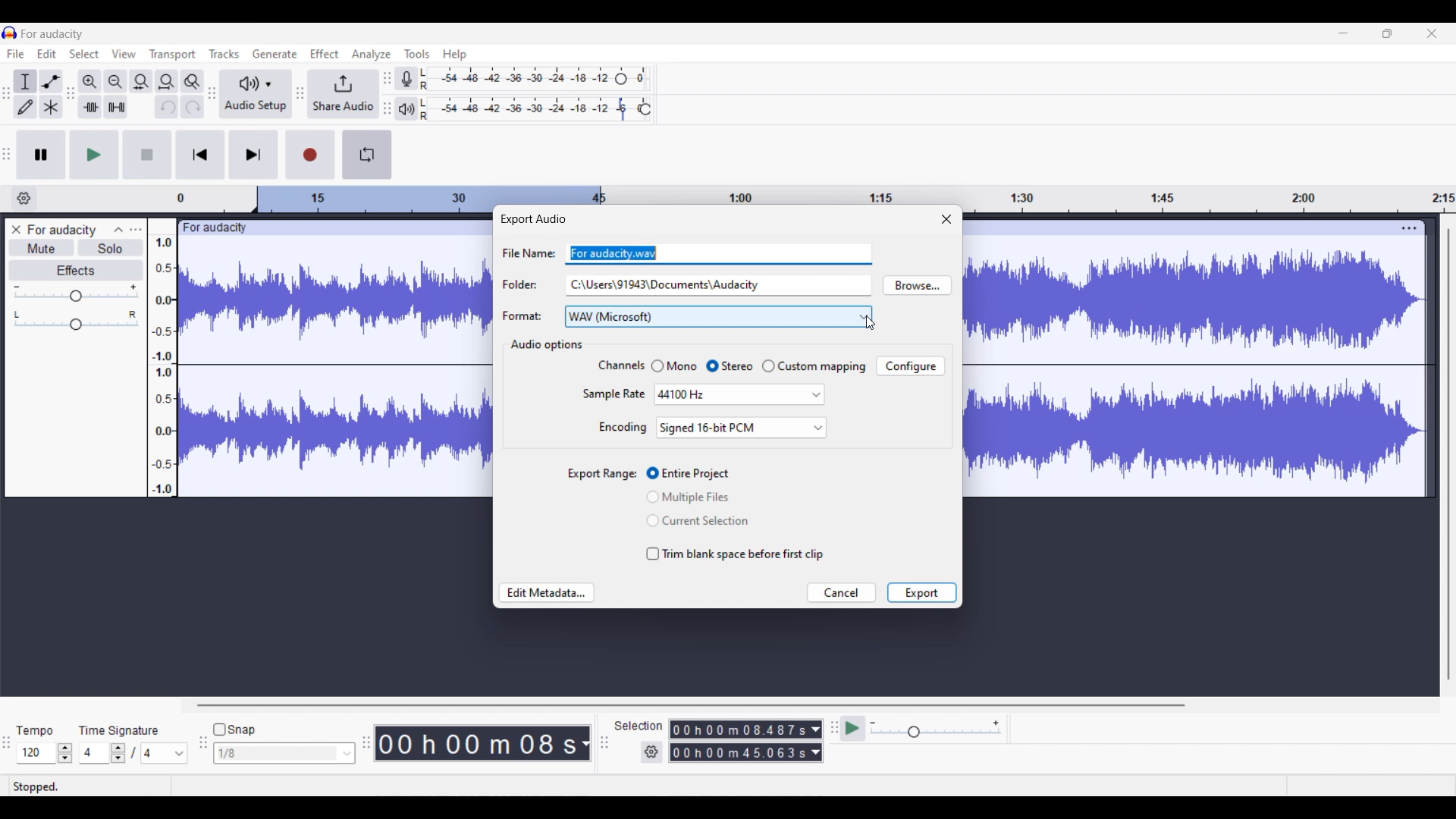 The image size is (1456, 819). Describe the element at coordinates (673, 366) in the screenshot. I see `Toggle for Mono` at that location.